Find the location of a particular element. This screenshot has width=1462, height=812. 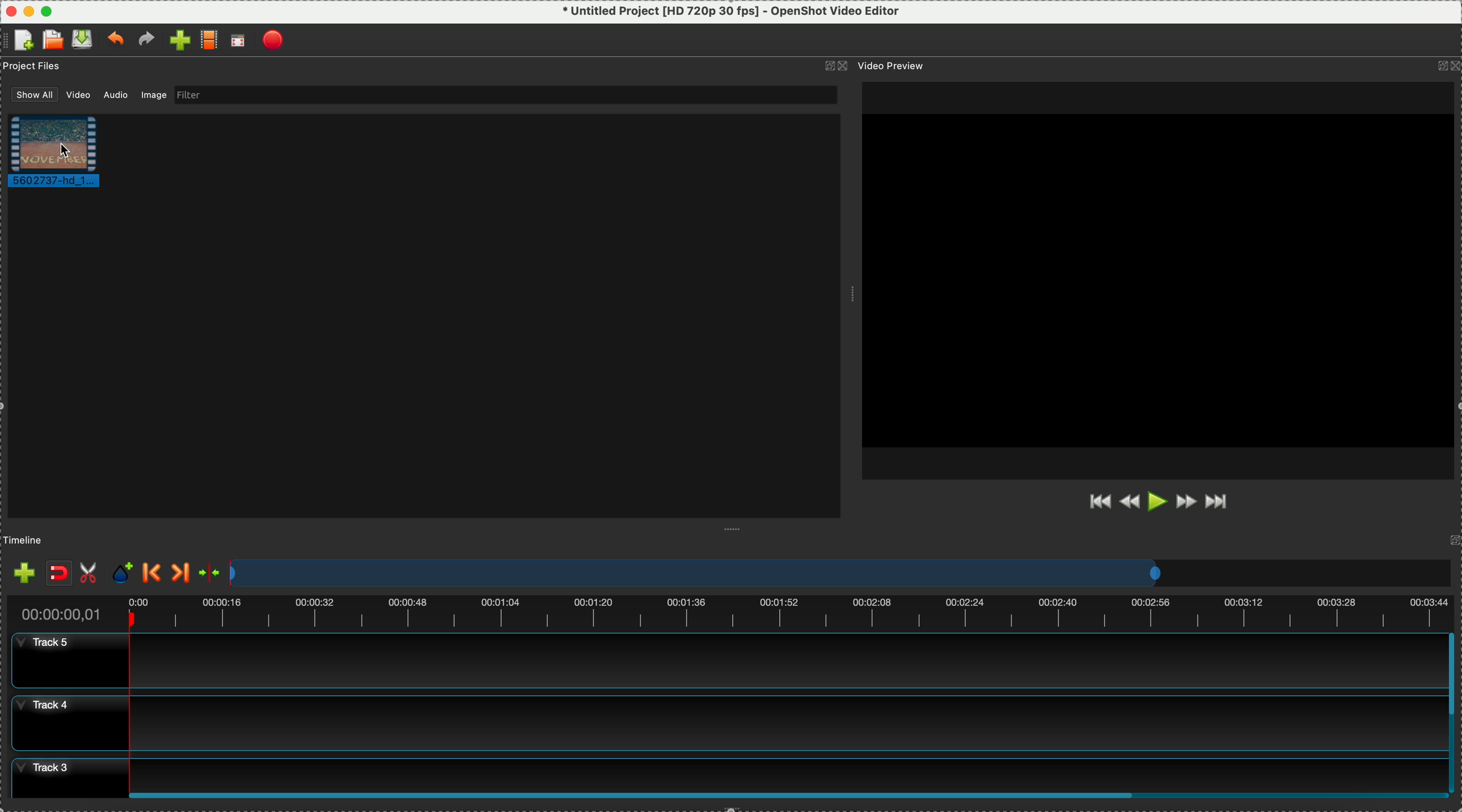

video is located at coordinates (77, 95).